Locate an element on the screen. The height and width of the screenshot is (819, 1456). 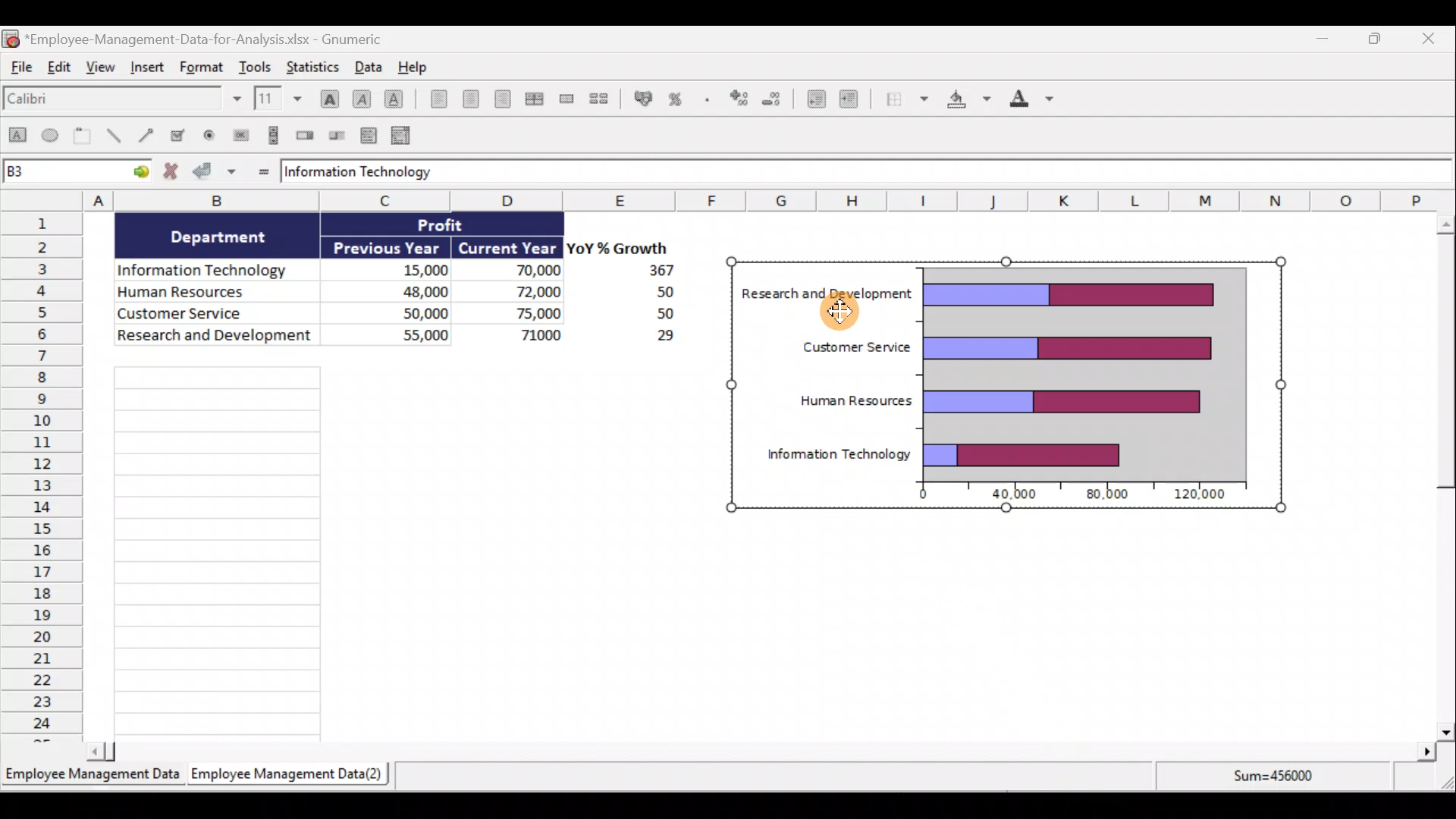
Create a combo box is located at coordinates (403, 134).